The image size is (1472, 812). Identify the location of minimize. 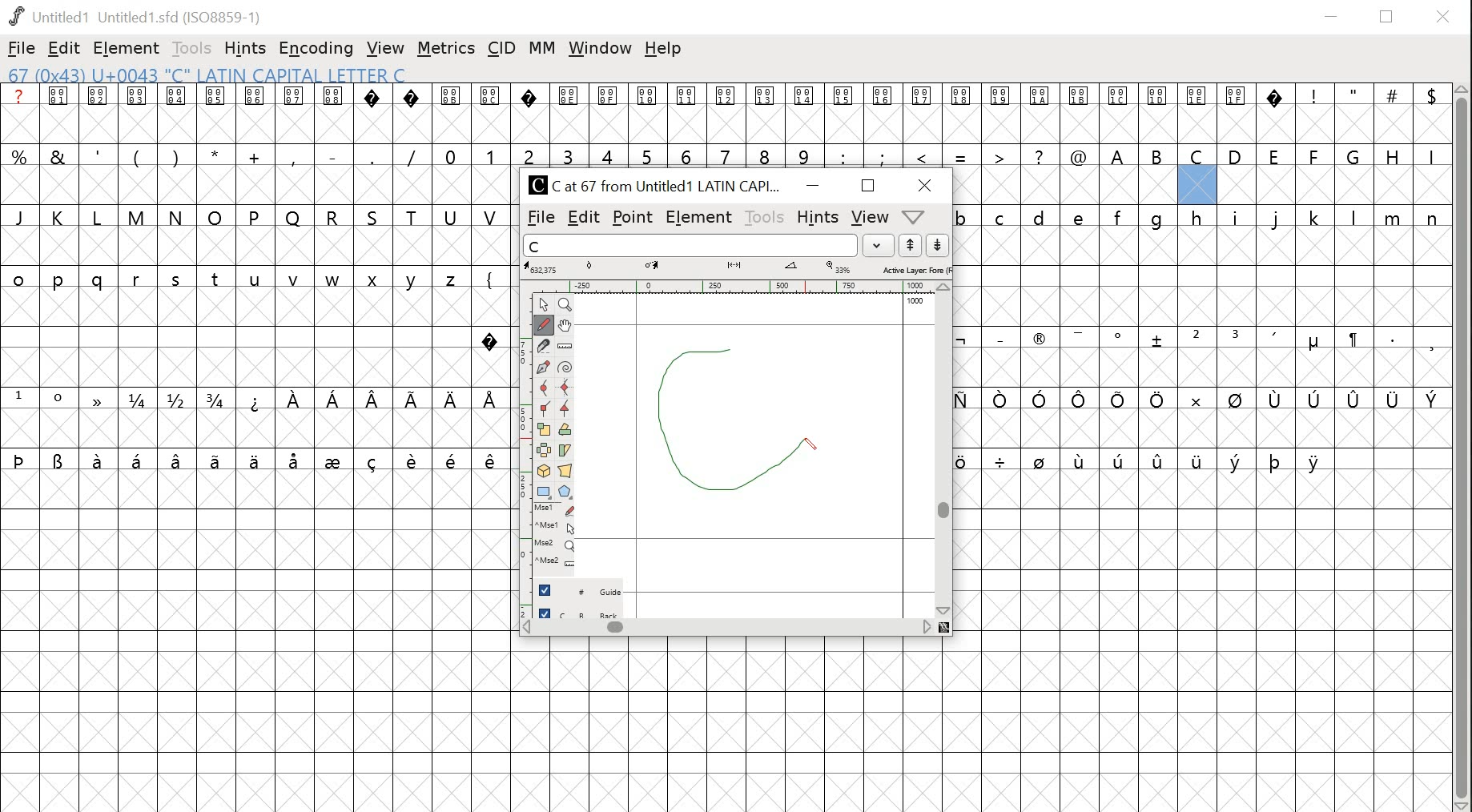
(813, 186).